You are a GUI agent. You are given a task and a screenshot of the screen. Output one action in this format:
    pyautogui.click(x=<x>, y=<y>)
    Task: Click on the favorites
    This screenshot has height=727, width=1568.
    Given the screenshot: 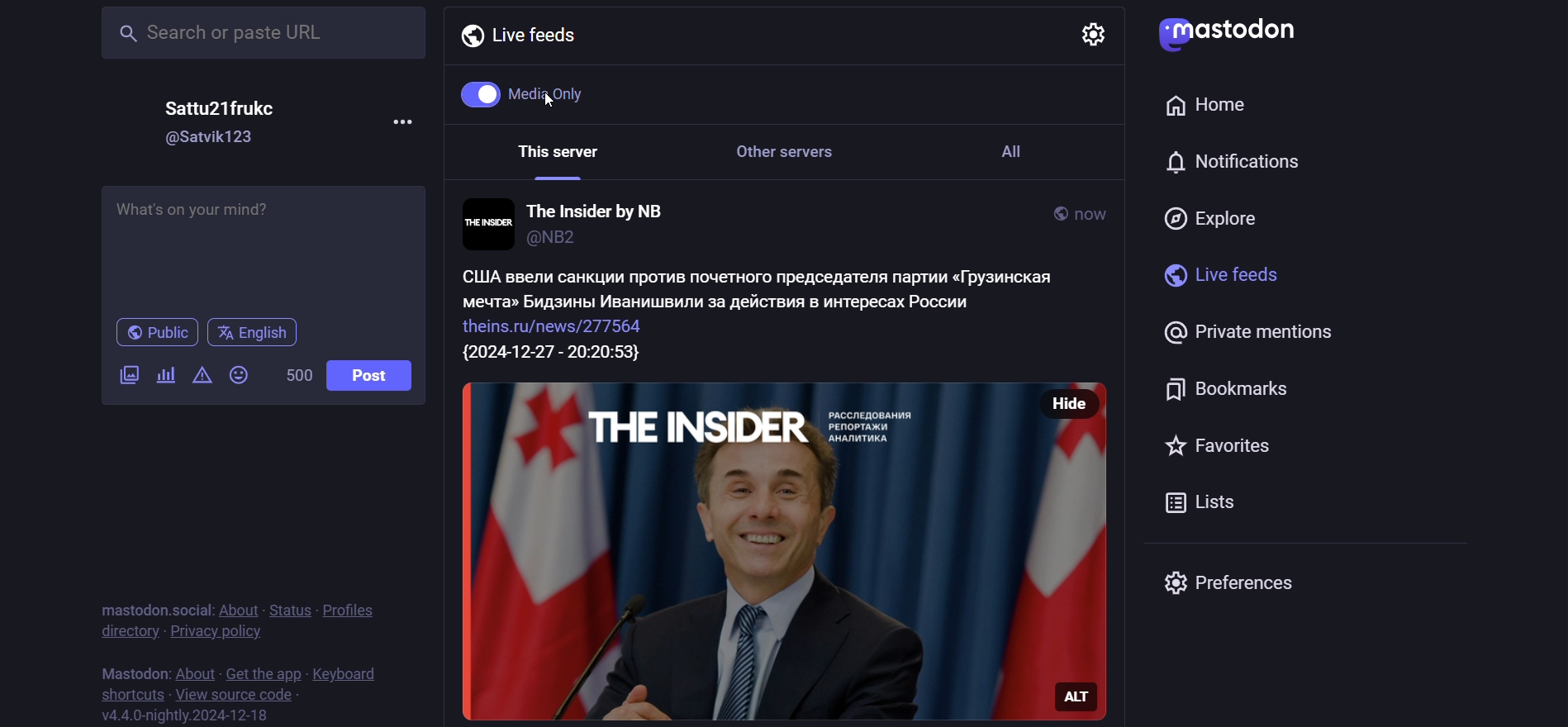 What is the action you would take?
    pyautogui.click(x=1207, y=448)
    